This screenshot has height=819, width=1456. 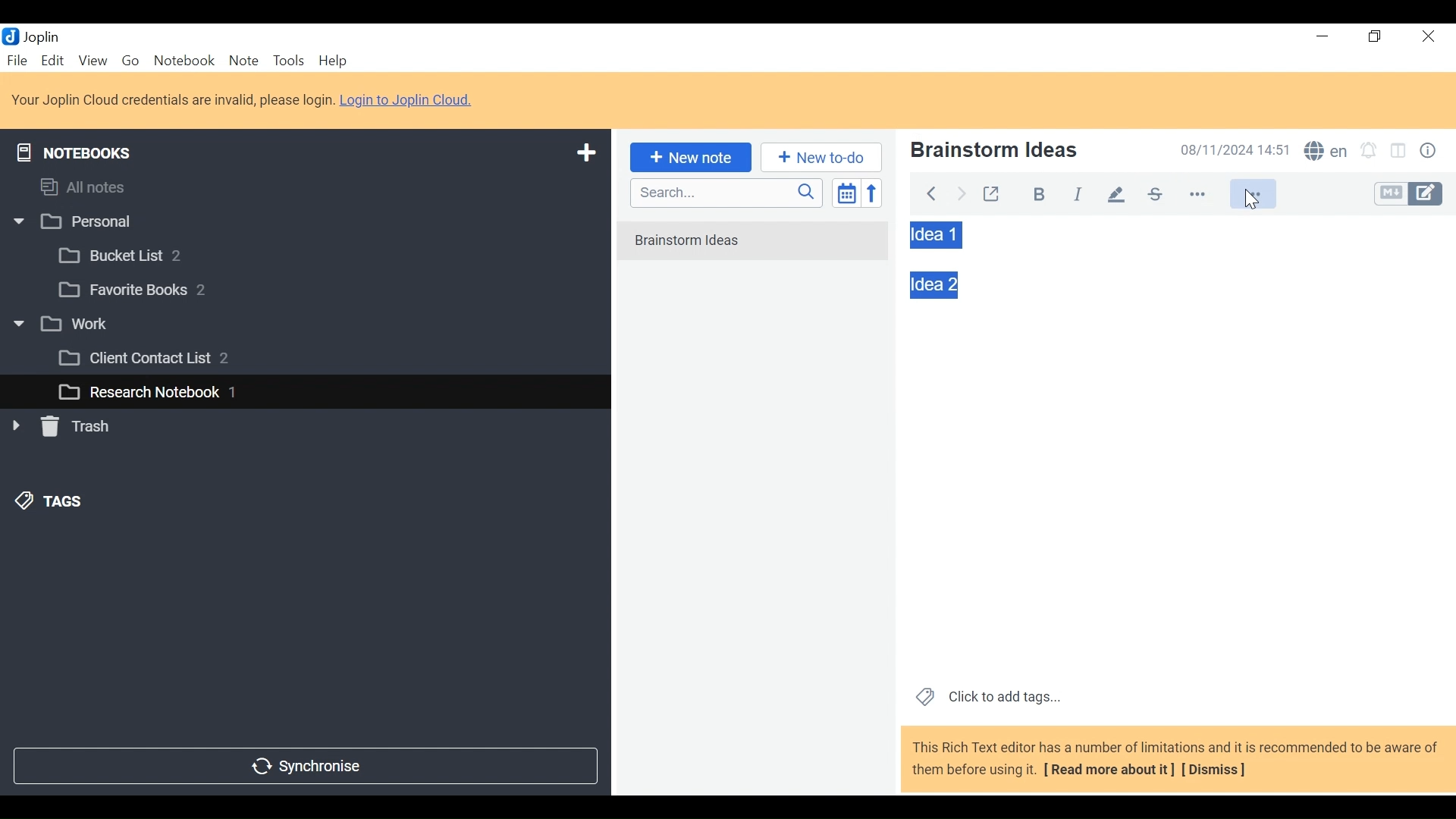 What do you see at coordinates (85, 149) in the screenshot?
I see `Notebooks` at bounding box center [85, 149].